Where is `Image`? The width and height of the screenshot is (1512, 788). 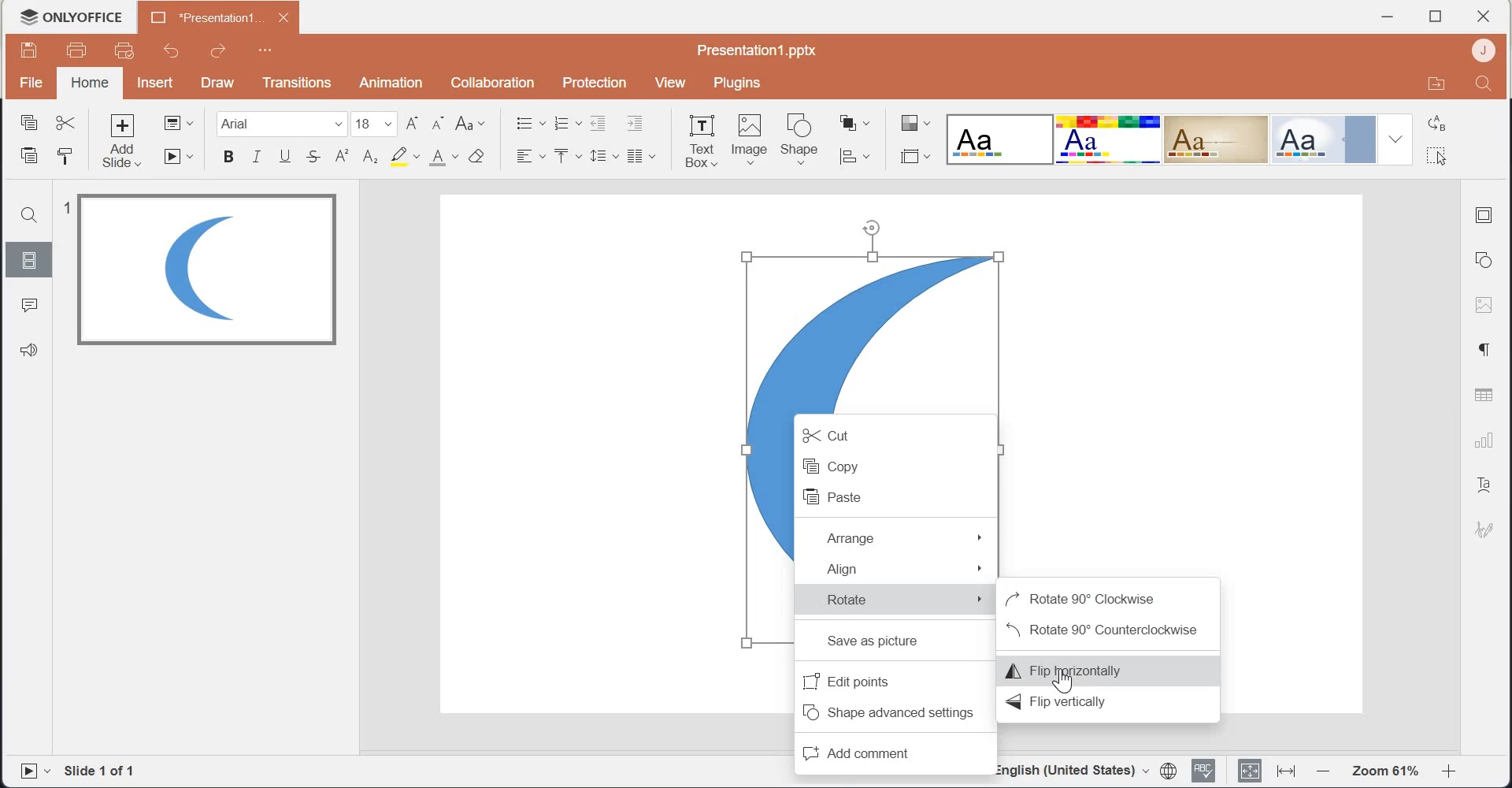
Image is located at coordinates (1485, 307).